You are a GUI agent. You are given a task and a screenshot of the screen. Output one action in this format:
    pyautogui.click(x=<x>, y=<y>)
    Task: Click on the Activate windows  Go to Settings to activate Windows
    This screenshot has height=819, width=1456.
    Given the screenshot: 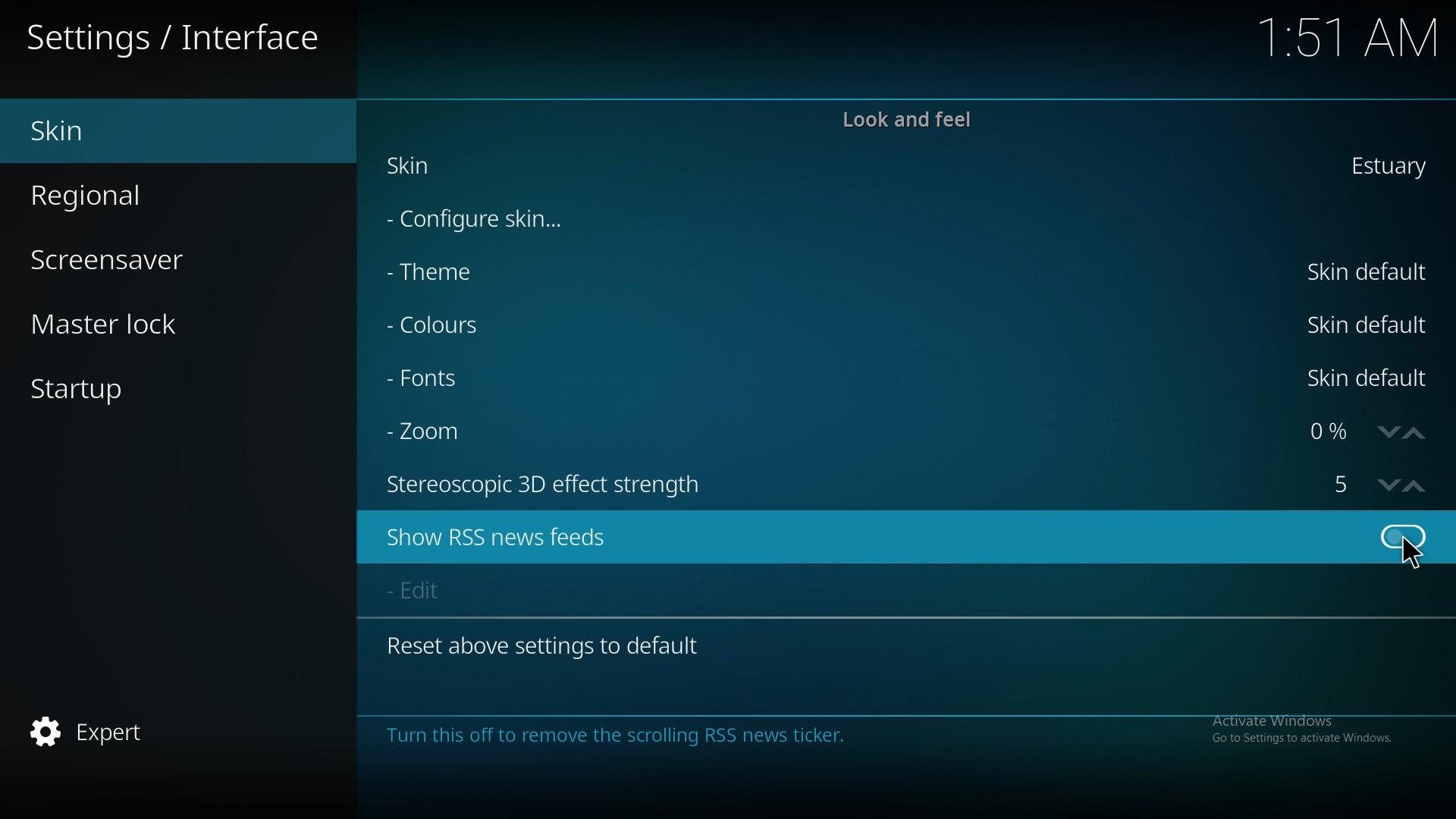 What is the action you would take?
    pyautogui.click(x=1297, y=726)
    